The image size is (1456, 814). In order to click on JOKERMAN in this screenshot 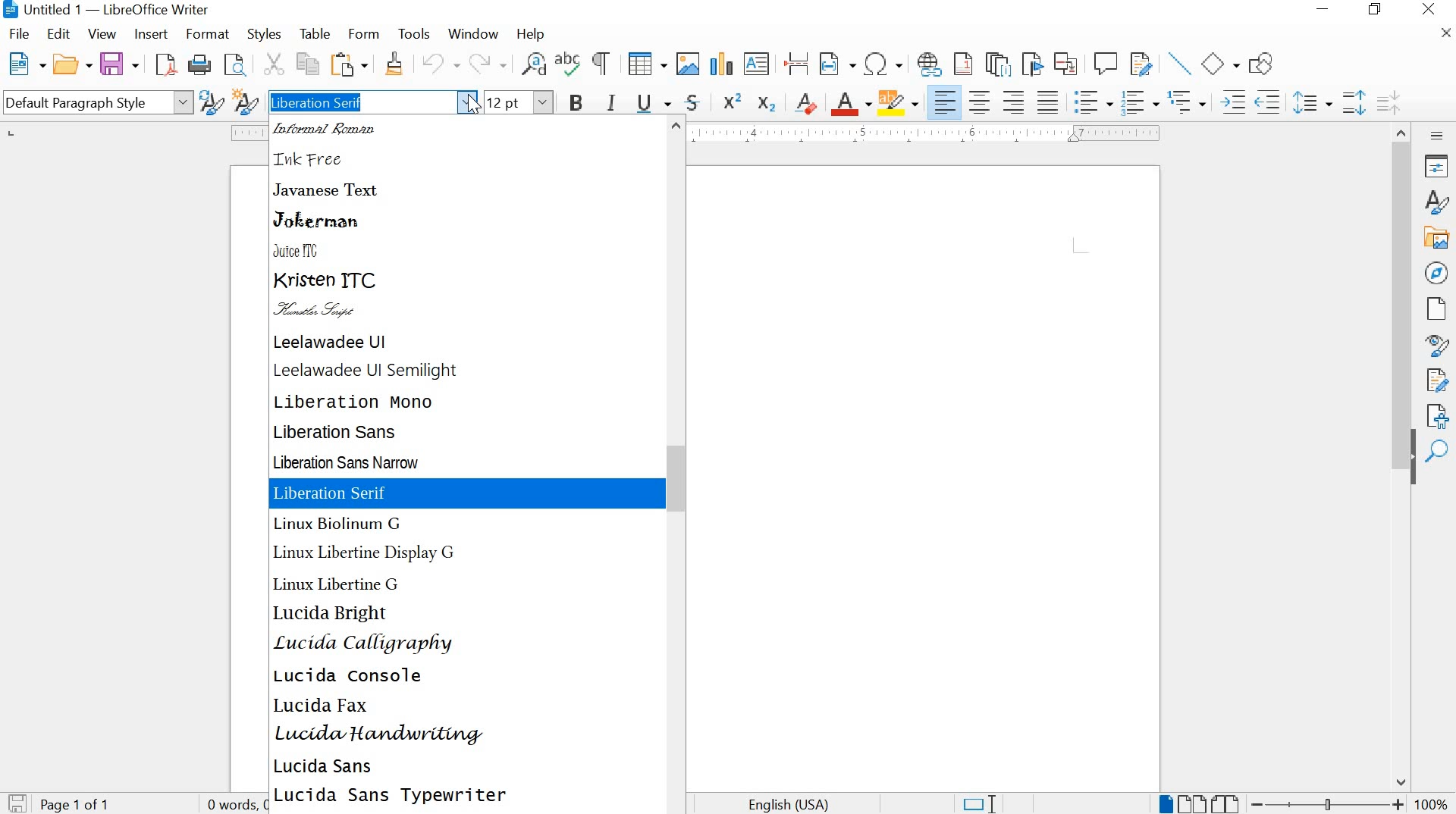, I will do `click(318, 220)`.